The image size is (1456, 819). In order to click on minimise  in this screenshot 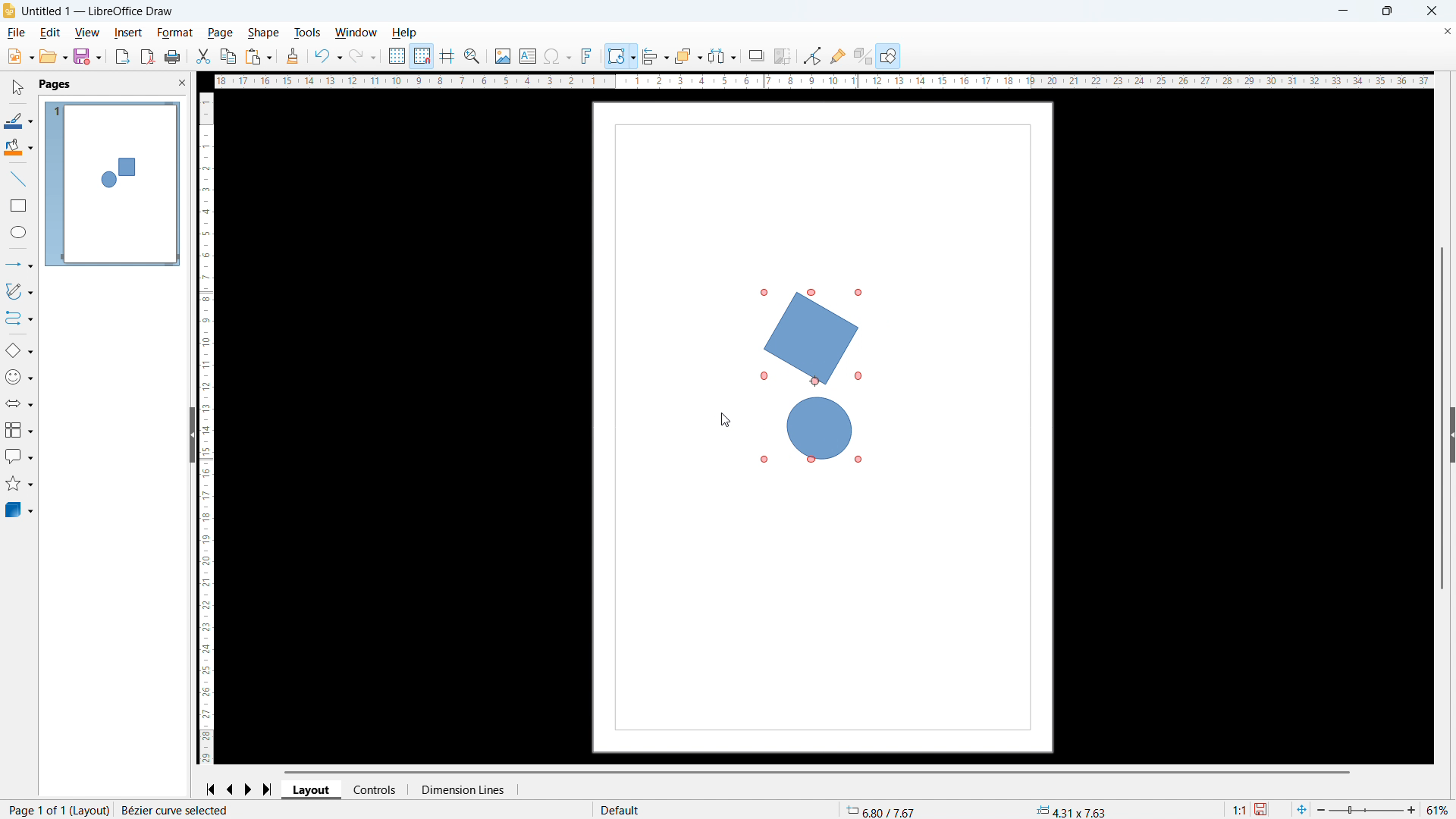, I will do `click(1342, 11)`.